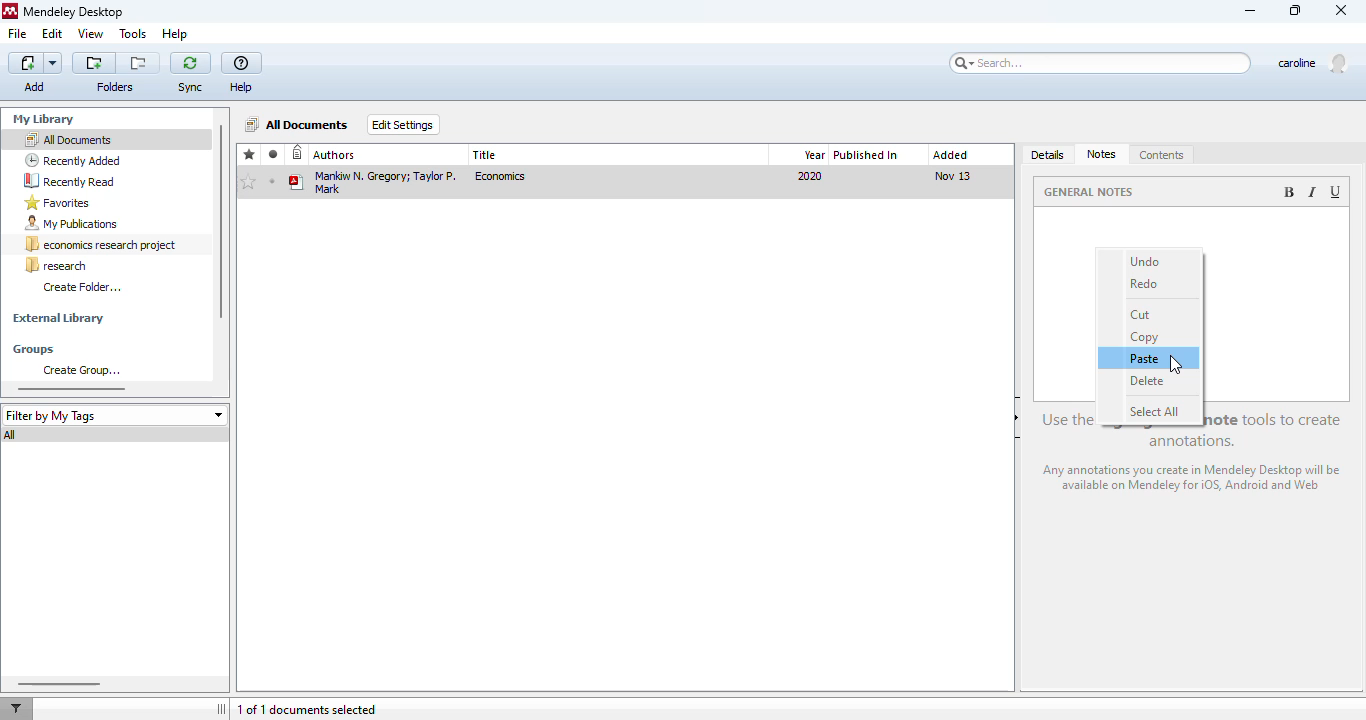 This screenshot has width=1366, height=720. Describe the element at coordinates (814, 155) in the screenshot. I see `year` at that location.